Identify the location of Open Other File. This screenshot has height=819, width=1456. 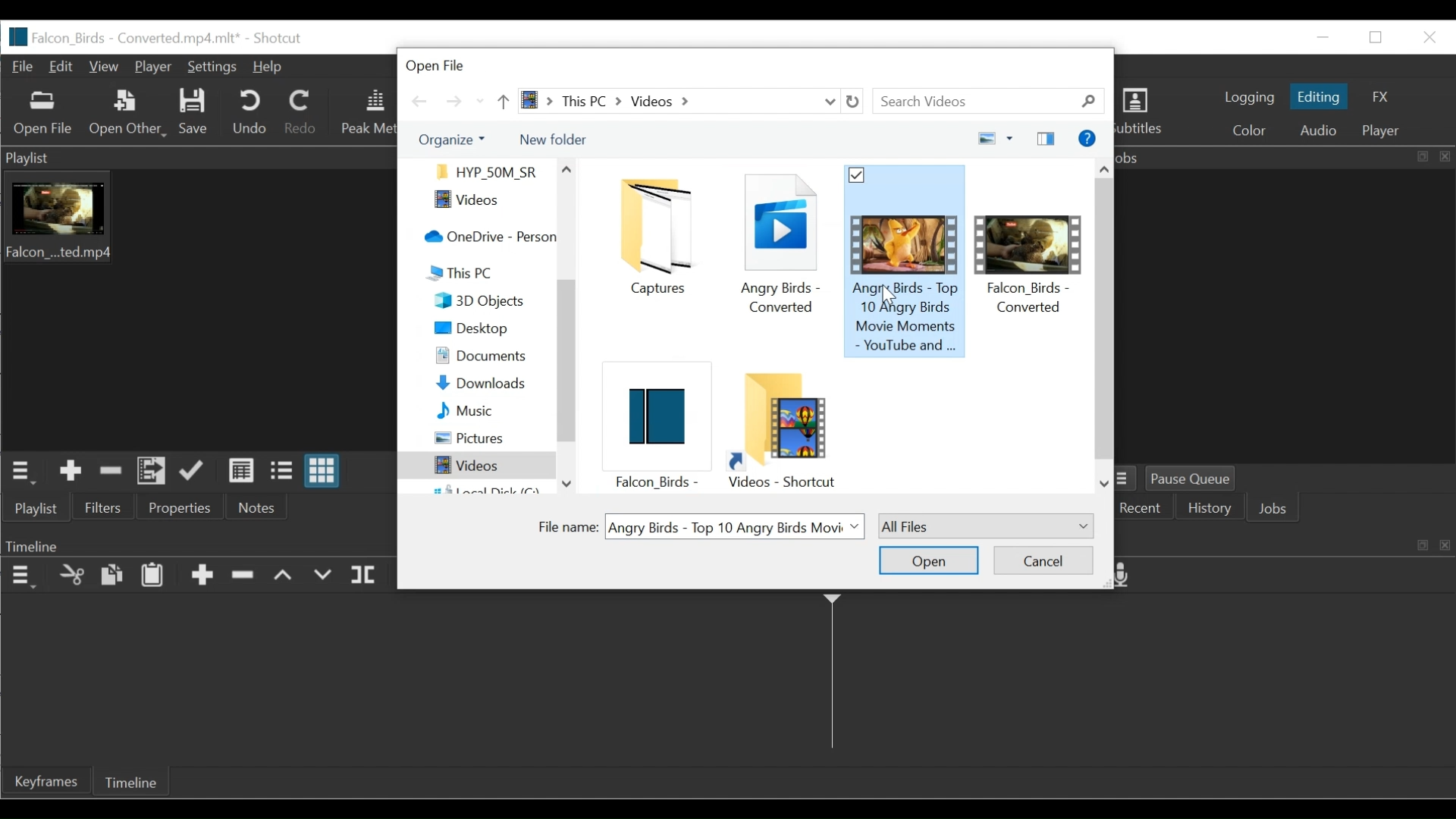
(43, 114).